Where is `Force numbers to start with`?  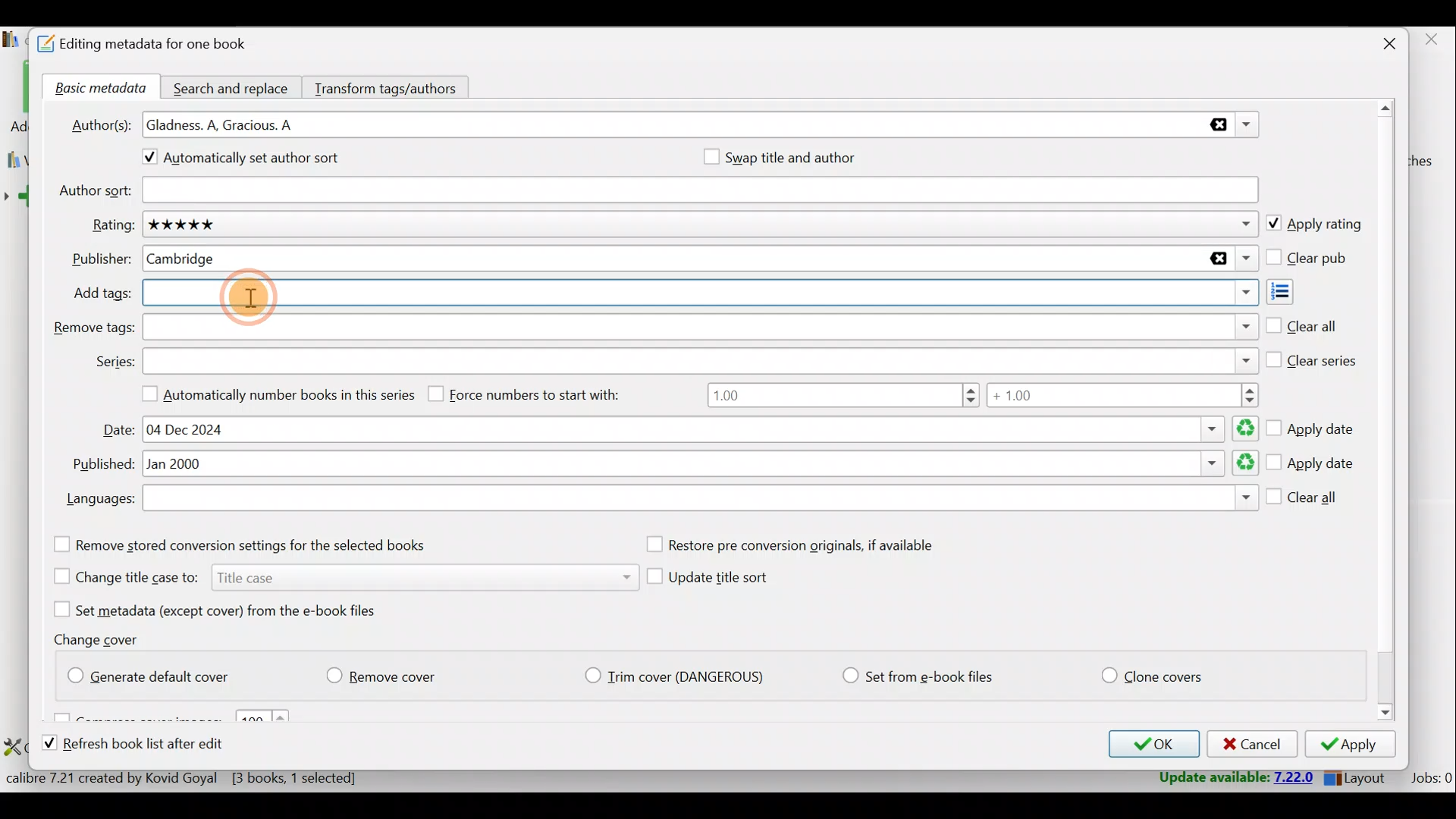 Force numbers to start with is located at coordinates (535, 394).